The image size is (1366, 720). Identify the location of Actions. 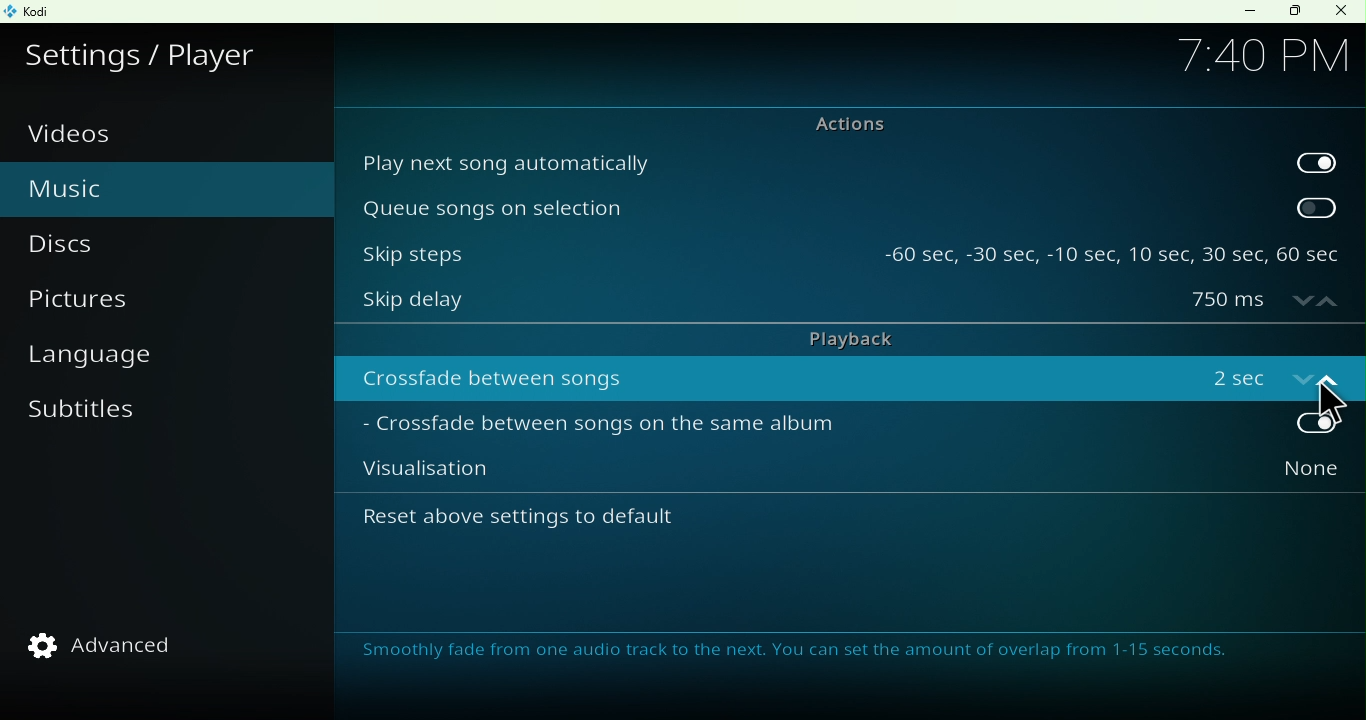
(838, 123).